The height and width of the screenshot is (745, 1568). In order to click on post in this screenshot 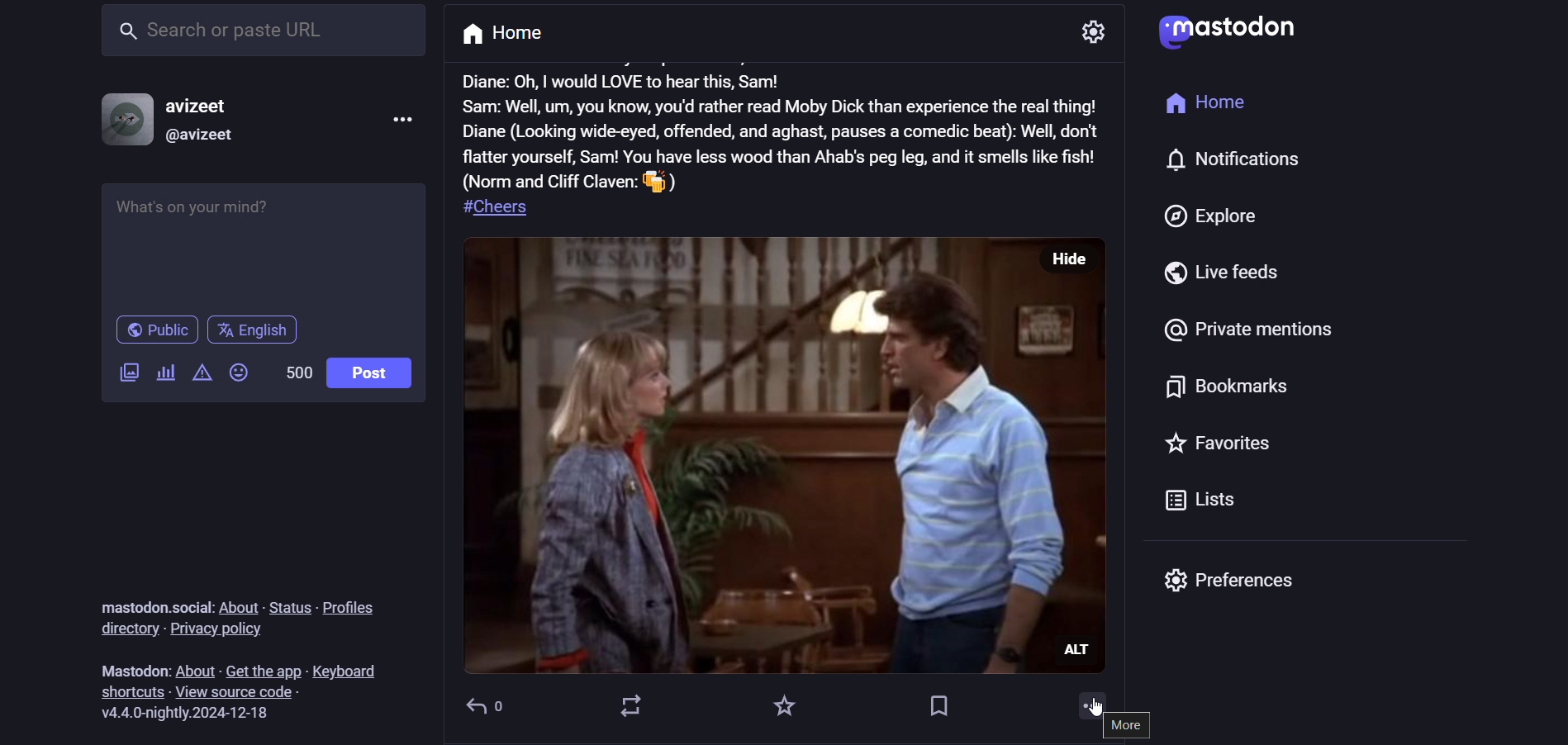, I will do `click(369, 372)`.